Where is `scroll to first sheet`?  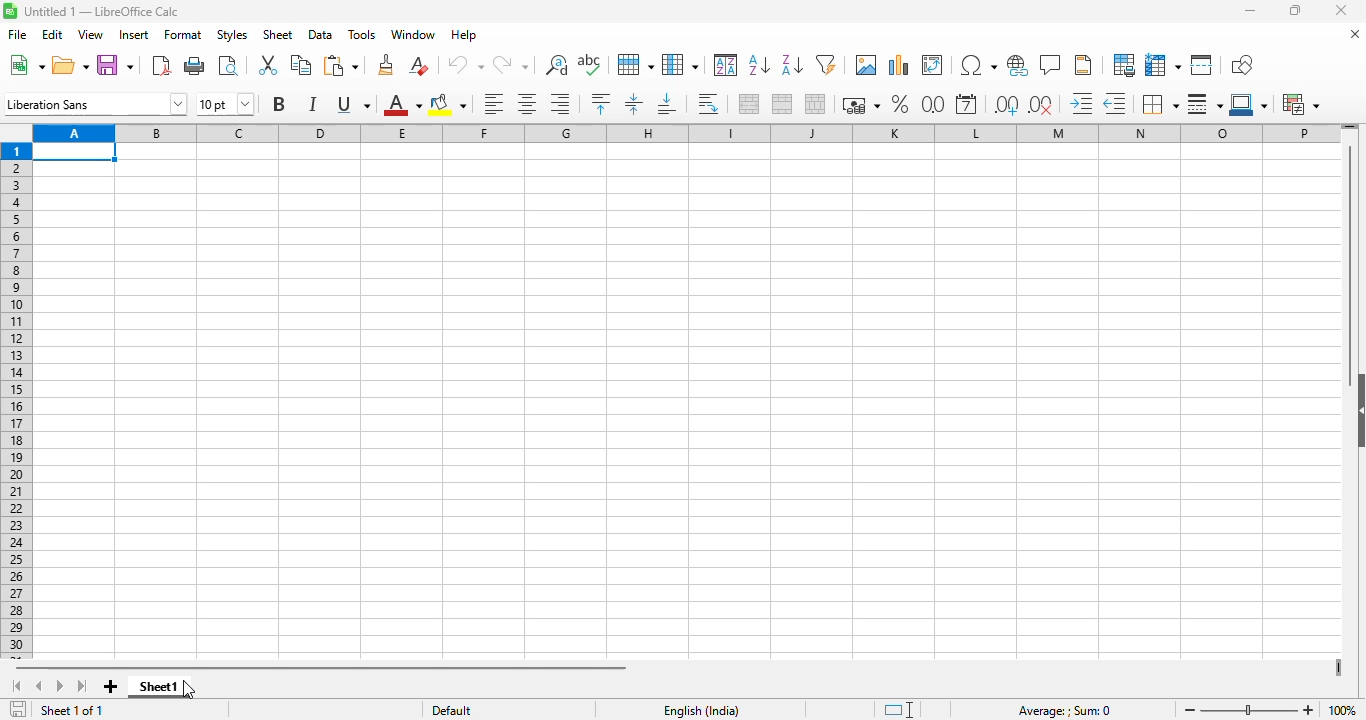
scroll to first sheet is located at coordinates (16, 686).